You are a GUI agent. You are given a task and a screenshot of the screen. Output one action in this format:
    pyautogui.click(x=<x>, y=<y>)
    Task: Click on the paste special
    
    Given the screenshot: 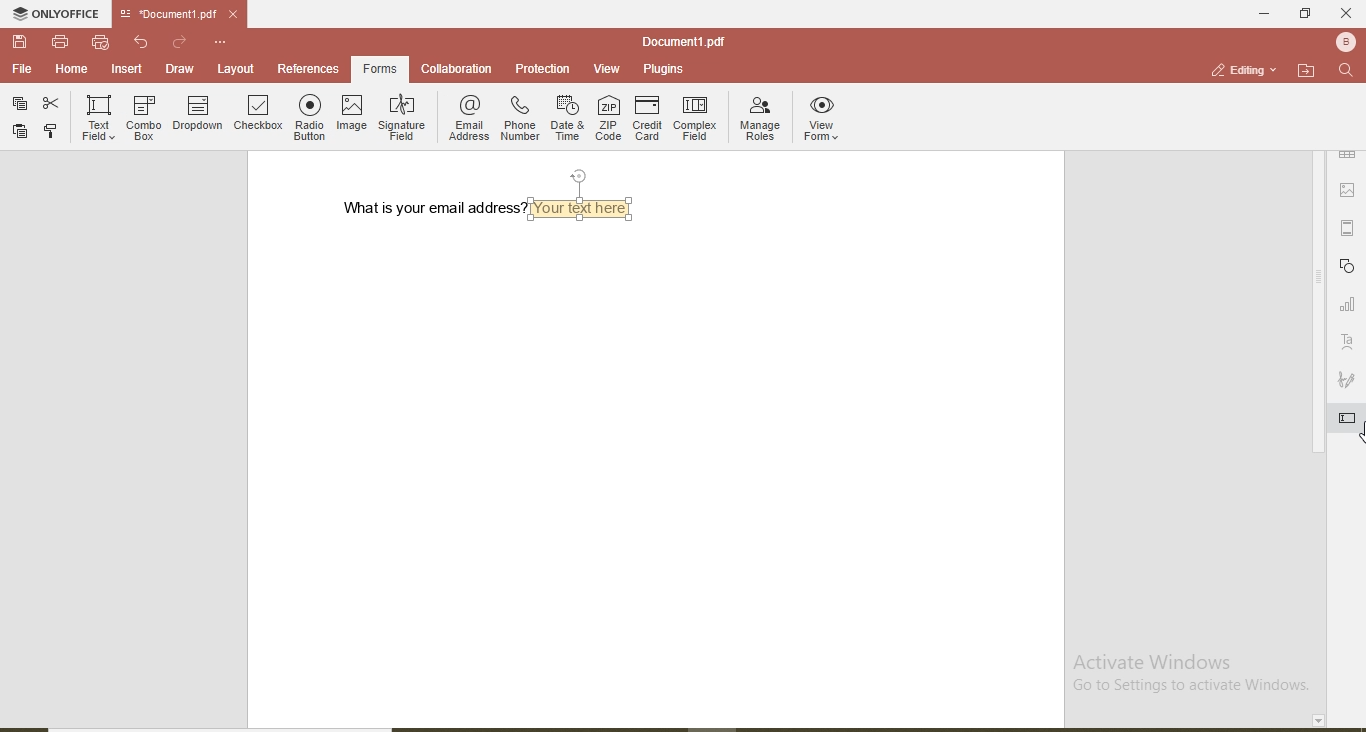 What is the action you would take?
    pyautogui.click(x=19, y=101)
    